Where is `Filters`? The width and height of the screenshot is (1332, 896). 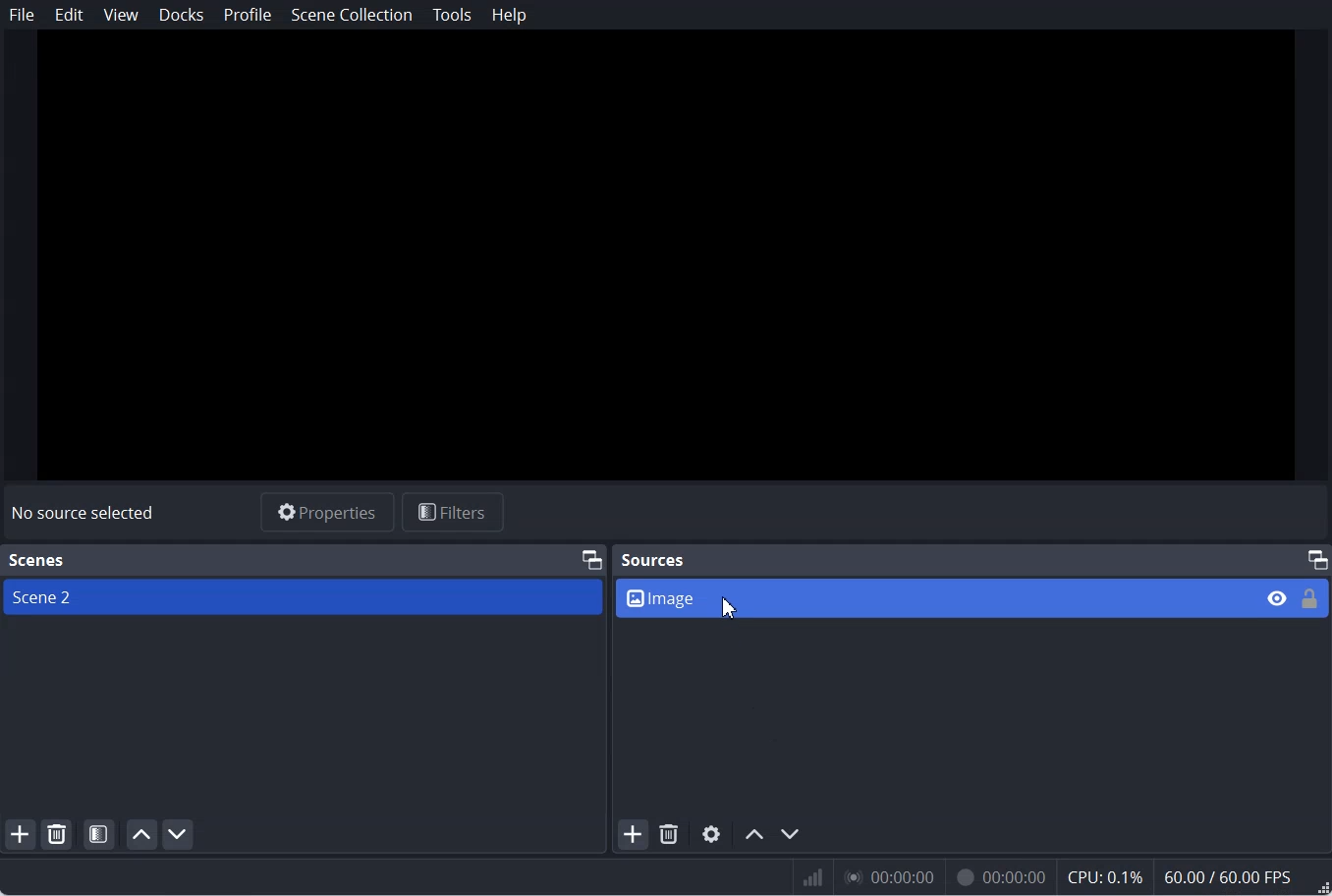
Filters is located at coordinates (452, 511).